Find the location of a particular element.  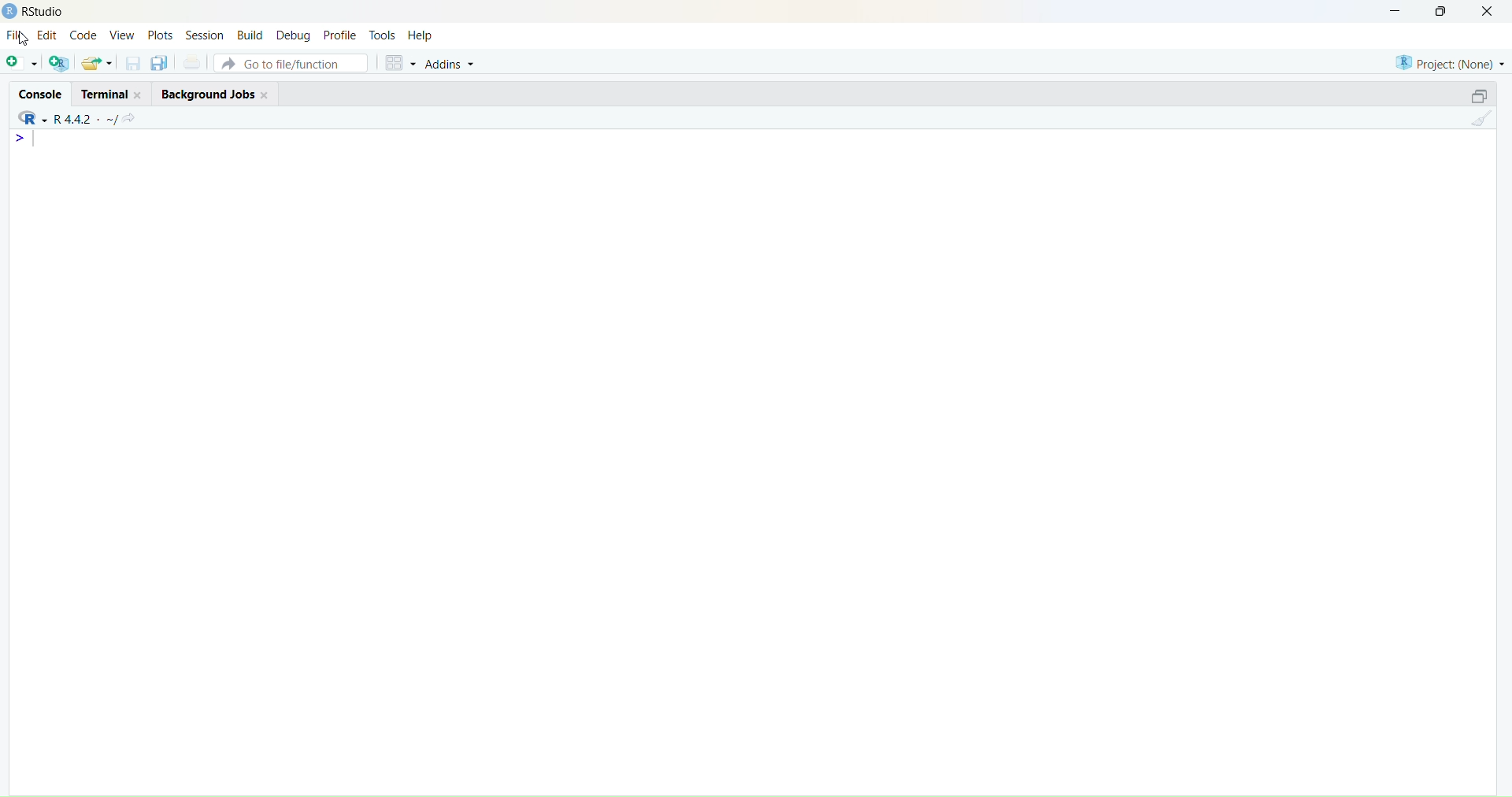

Profile is located at coordinates (339, 35).